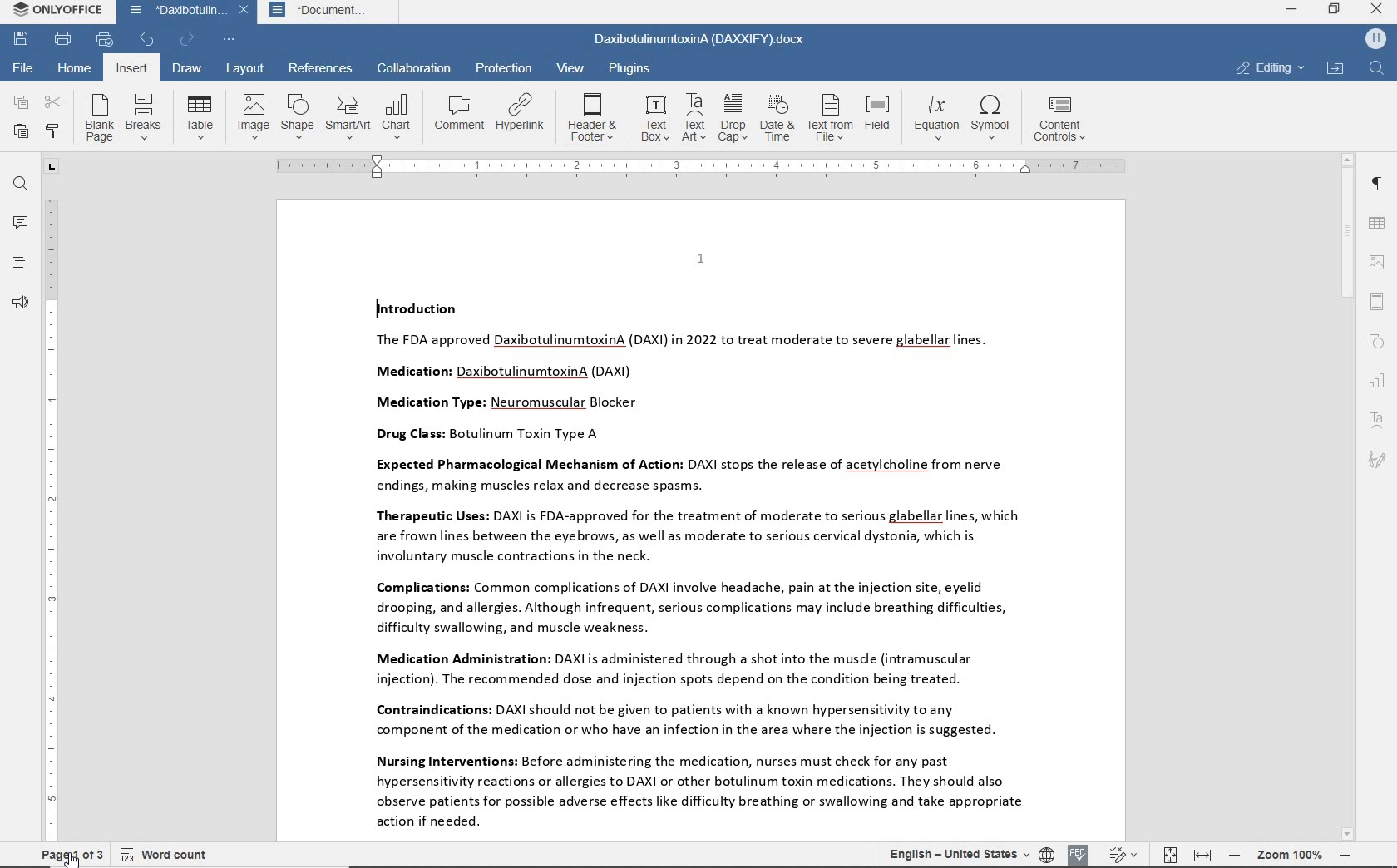 The width and height of the screenshot is (1397, 868). Describe the element at coordinates (1079, 853) in the screenshot. I see `spell checking` at that location.